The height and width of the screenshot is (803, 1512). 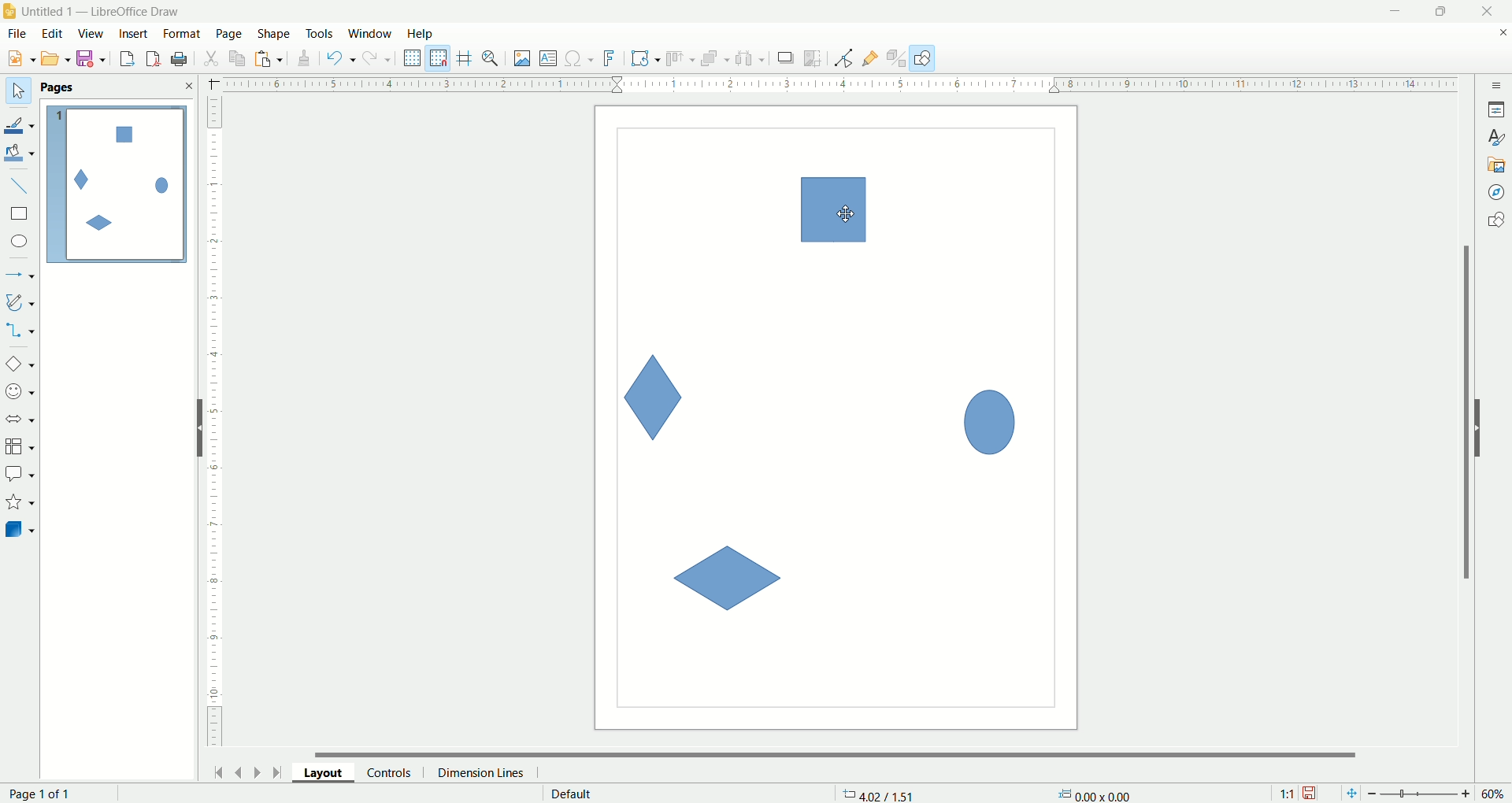 What do you see at coordinates (135, 34) in the screenshot?
I see `insert` at bounding box center [135, 34].